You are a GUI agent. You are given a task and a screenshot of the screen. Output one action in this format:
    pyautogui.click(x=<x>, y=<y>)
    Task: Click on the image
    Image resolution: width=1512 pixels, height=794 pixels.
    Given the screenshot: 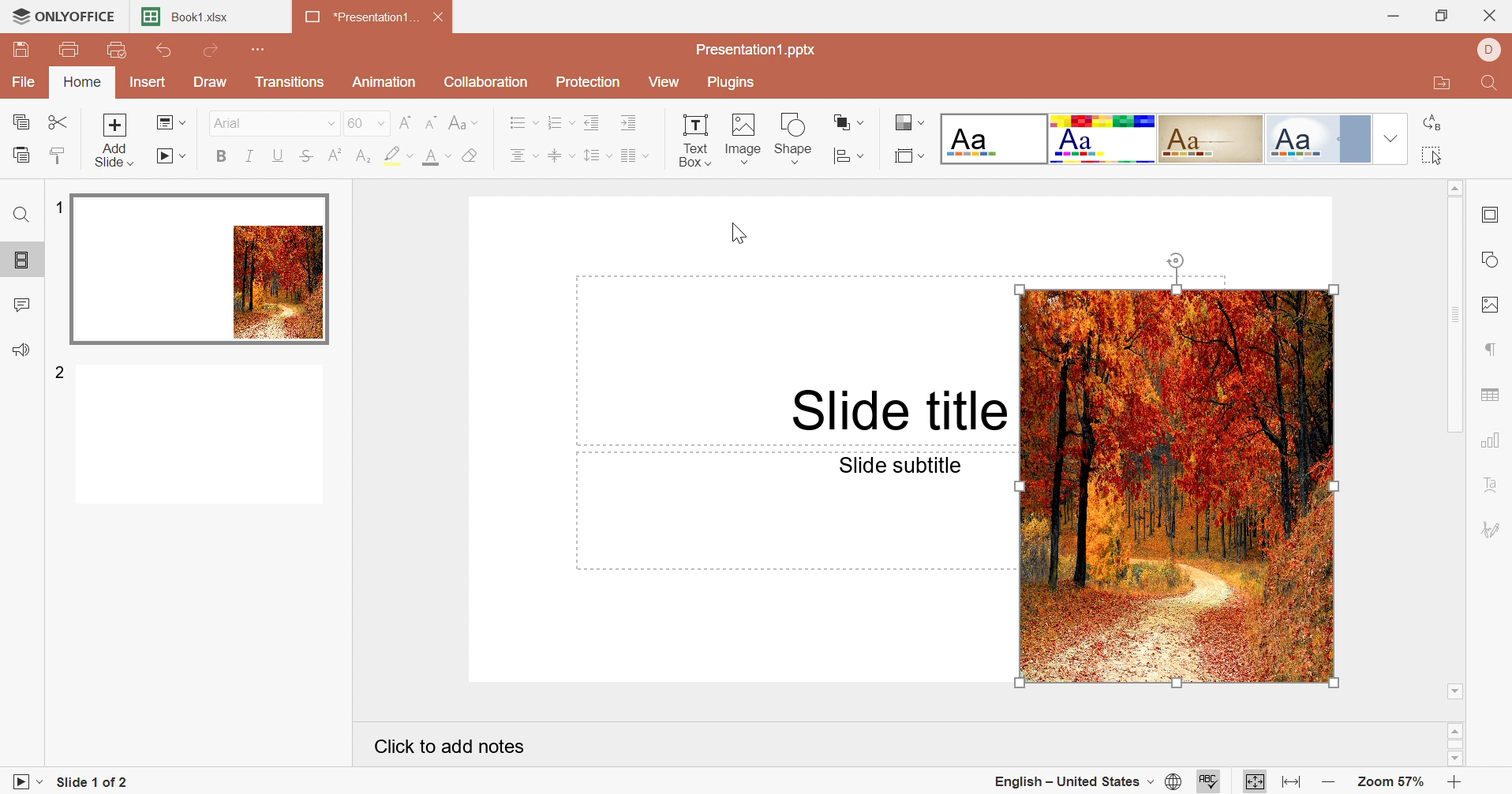 What is the action you would take?
    pyautogui.click(x=1177, y=461)
    